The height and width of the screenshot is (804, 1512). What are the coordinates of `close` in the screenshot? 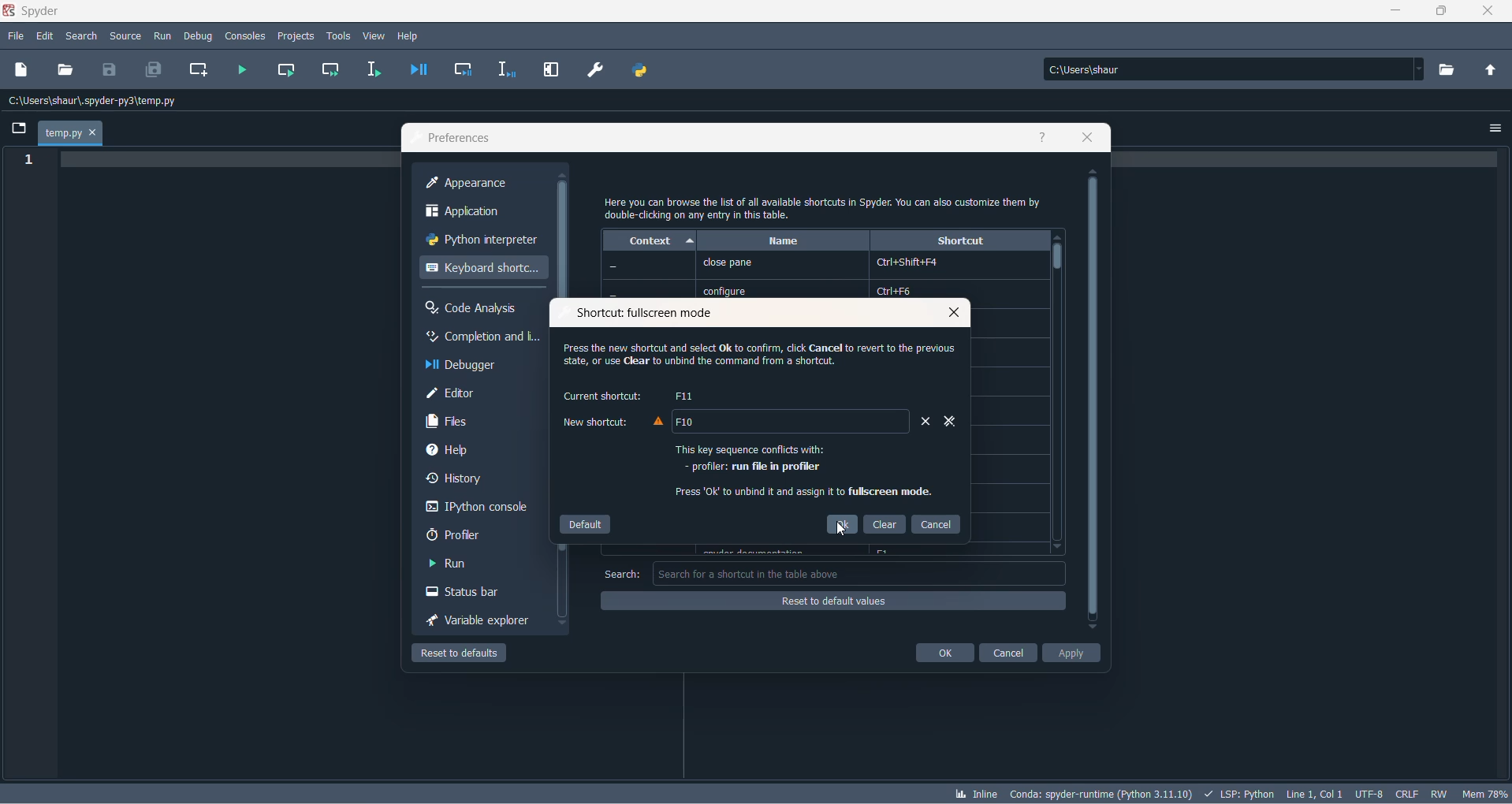 It's located at (949, 313).